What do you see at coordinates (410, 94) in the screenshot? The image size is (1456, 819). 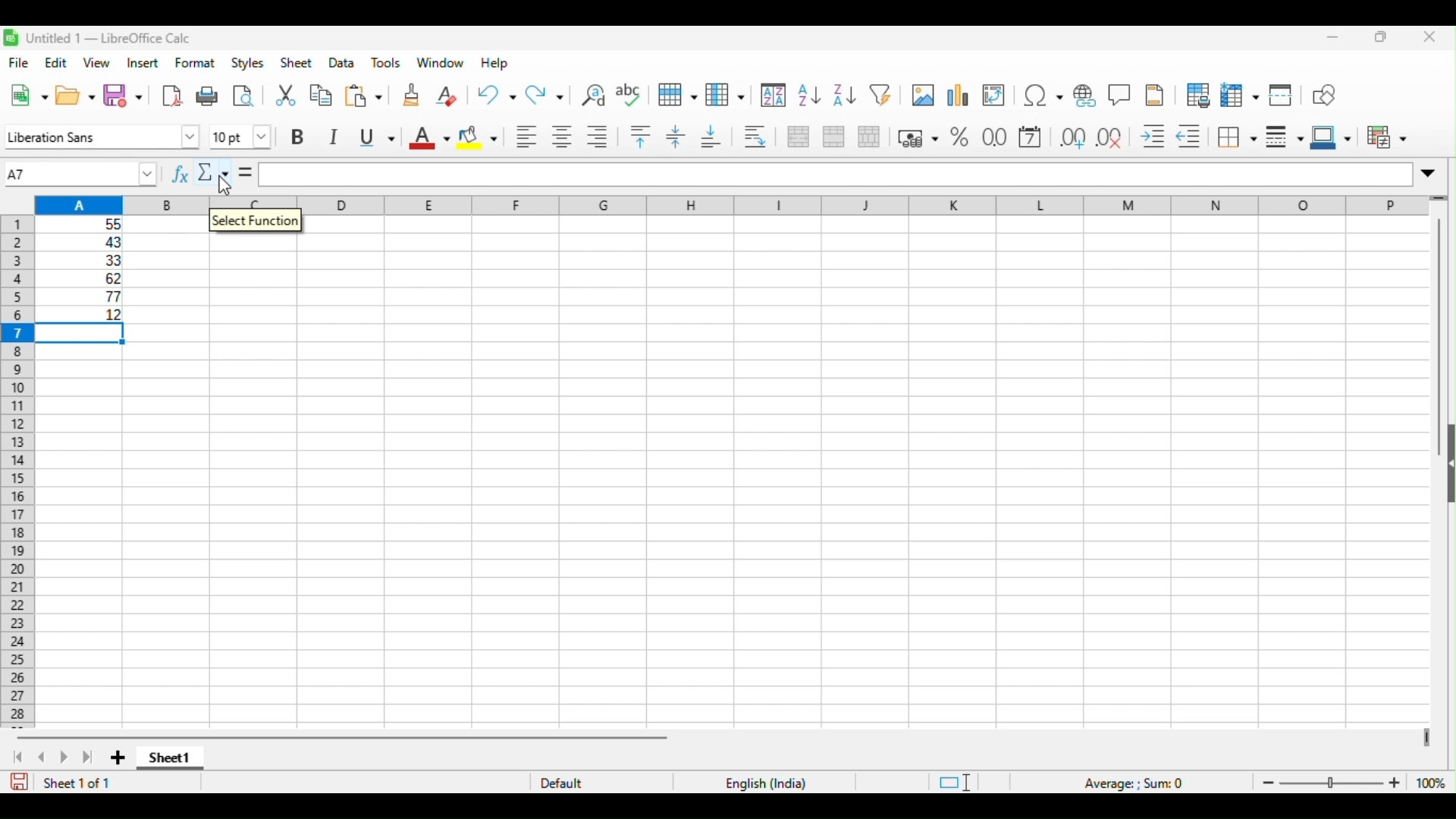 I see `clone` at bounding box center [410, 94].